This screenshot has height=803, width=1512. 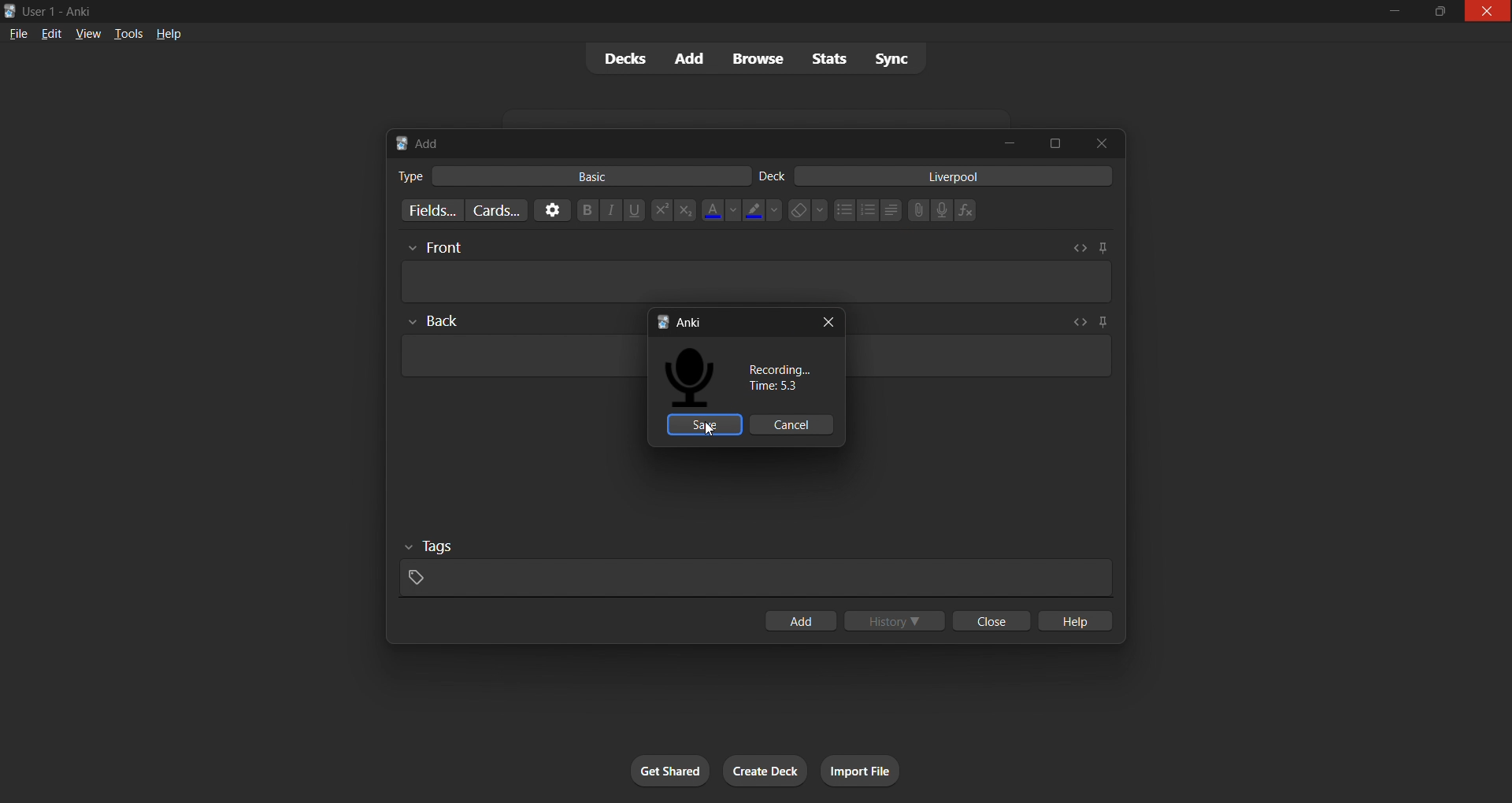 I want to click on insert file, so click(x=913, y=208).